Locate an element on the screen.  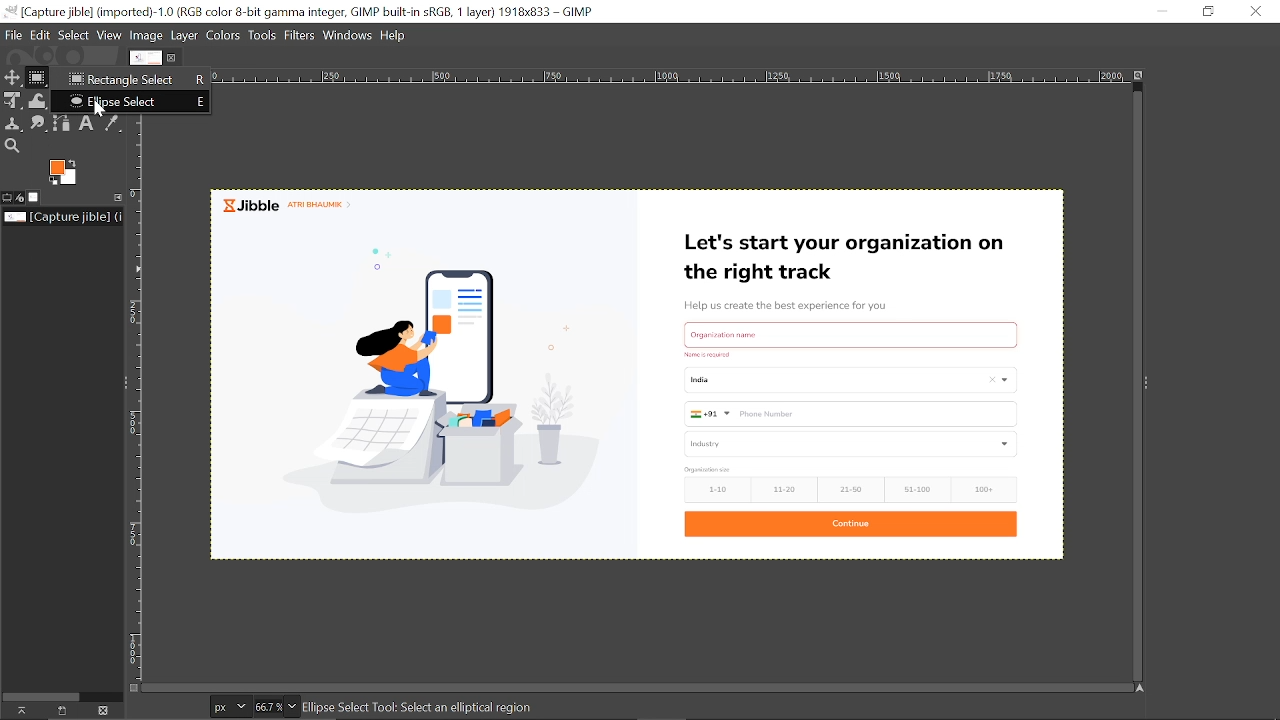
Move tool is located at coordinates (12, 76).